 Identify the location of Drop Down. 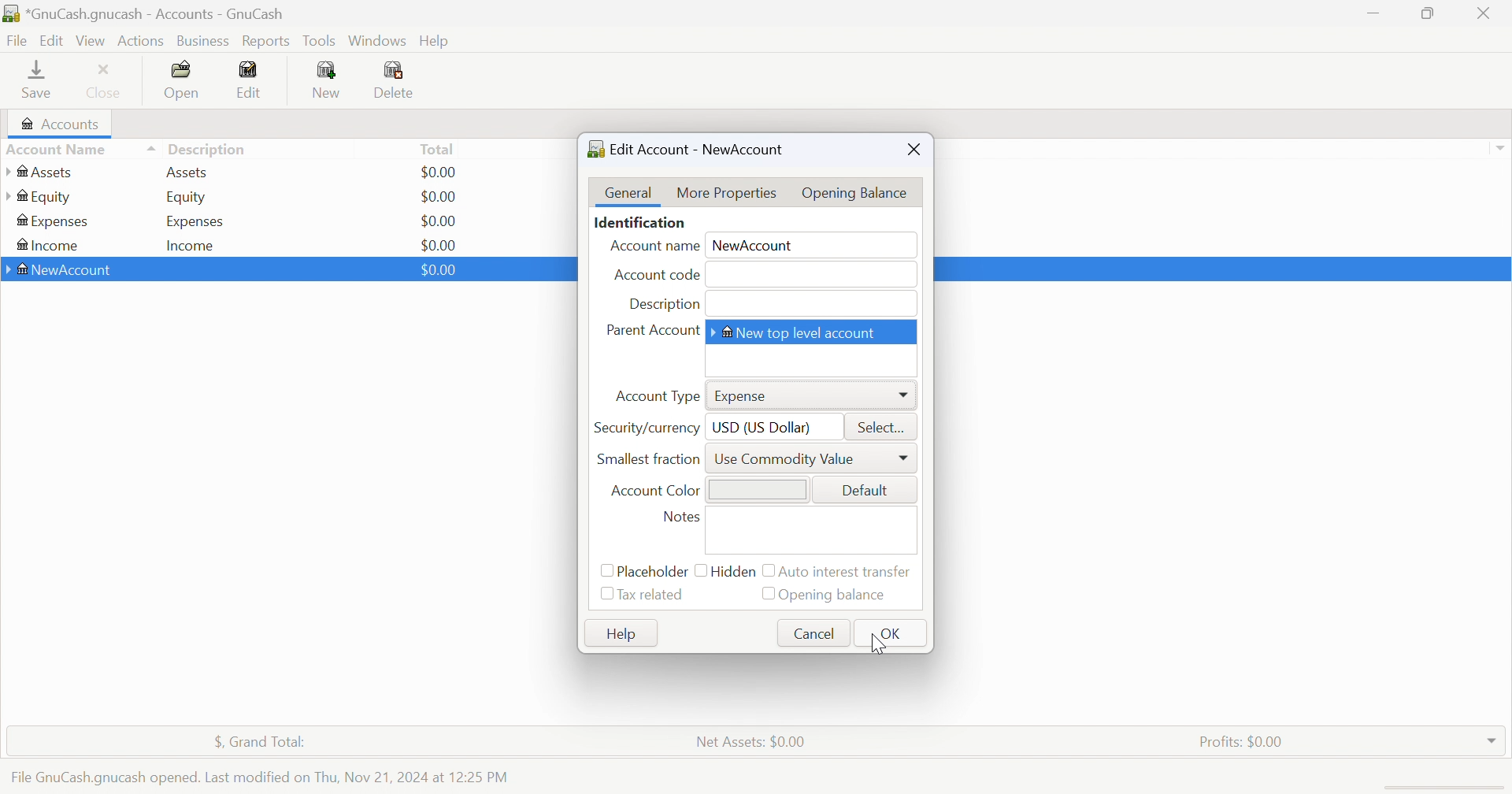
(1492, 736).